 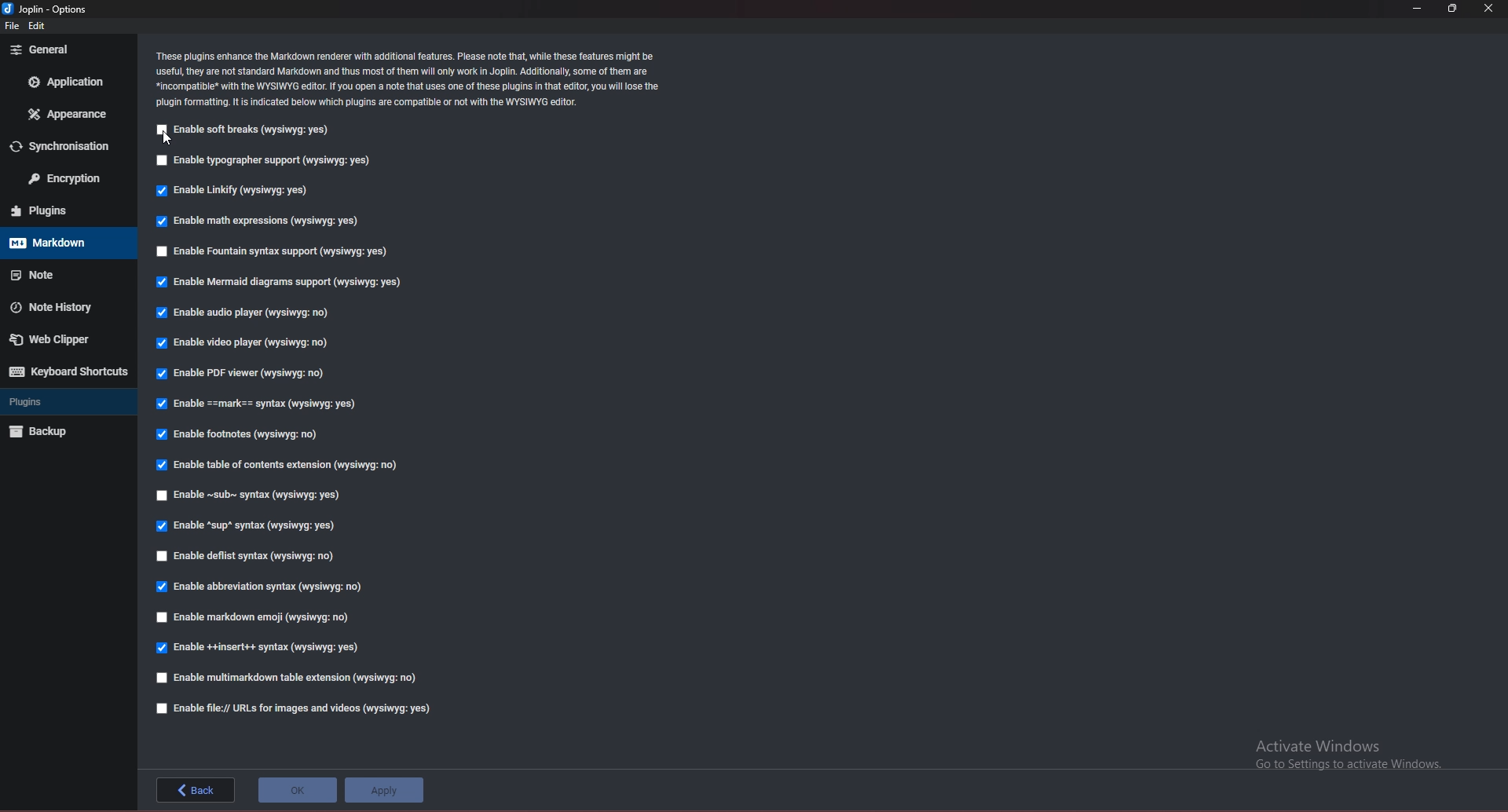 I want to click on minimize, so click(x=1420, y=9).